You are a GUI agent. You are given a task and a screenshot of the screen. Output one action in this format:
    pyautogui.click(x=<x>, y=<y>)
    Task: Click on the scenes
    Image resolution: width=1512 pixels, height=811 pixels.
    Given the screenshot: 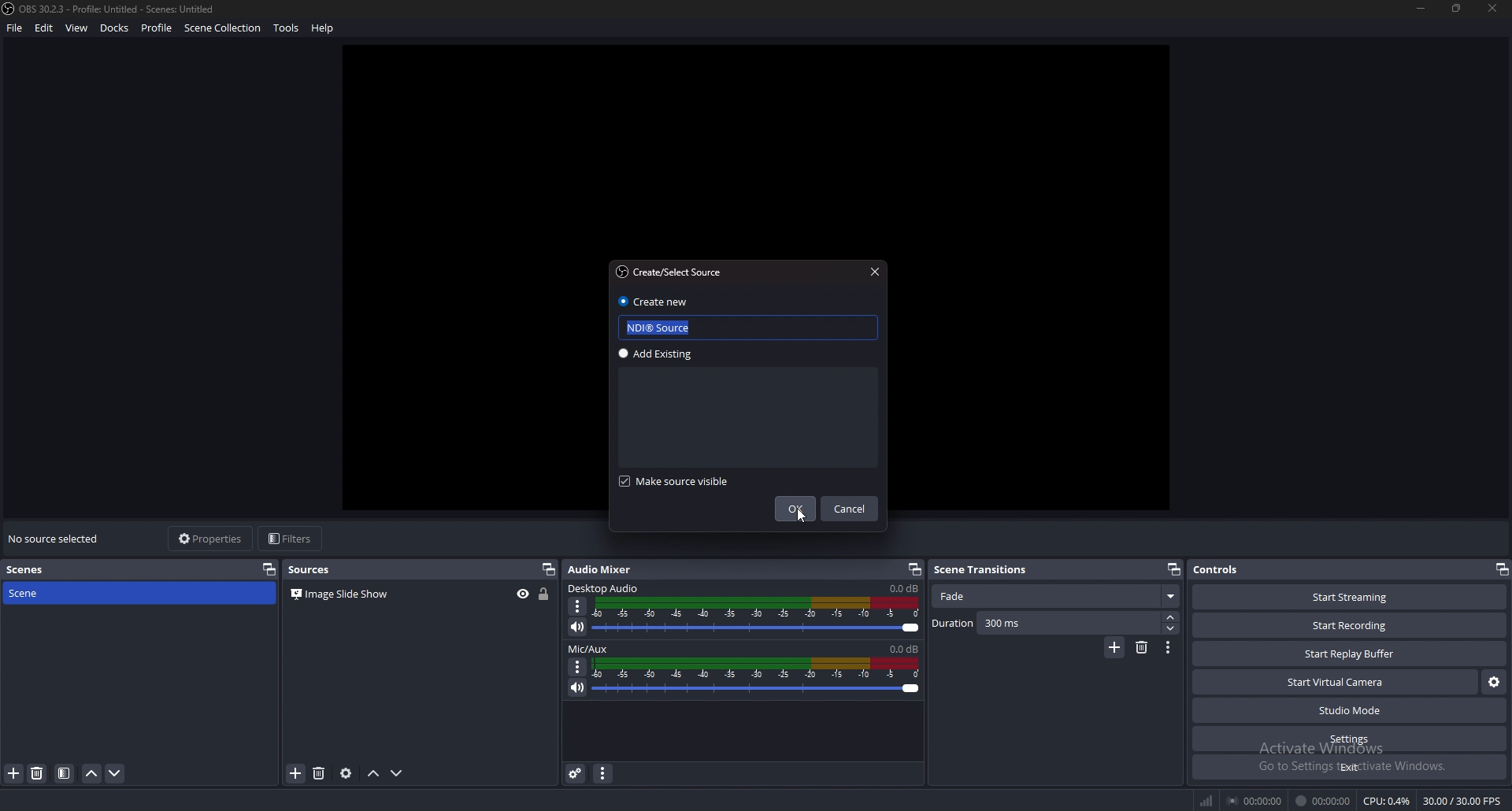 What is the action you would take?
    pyautogui.click(x=40, y=569)
    